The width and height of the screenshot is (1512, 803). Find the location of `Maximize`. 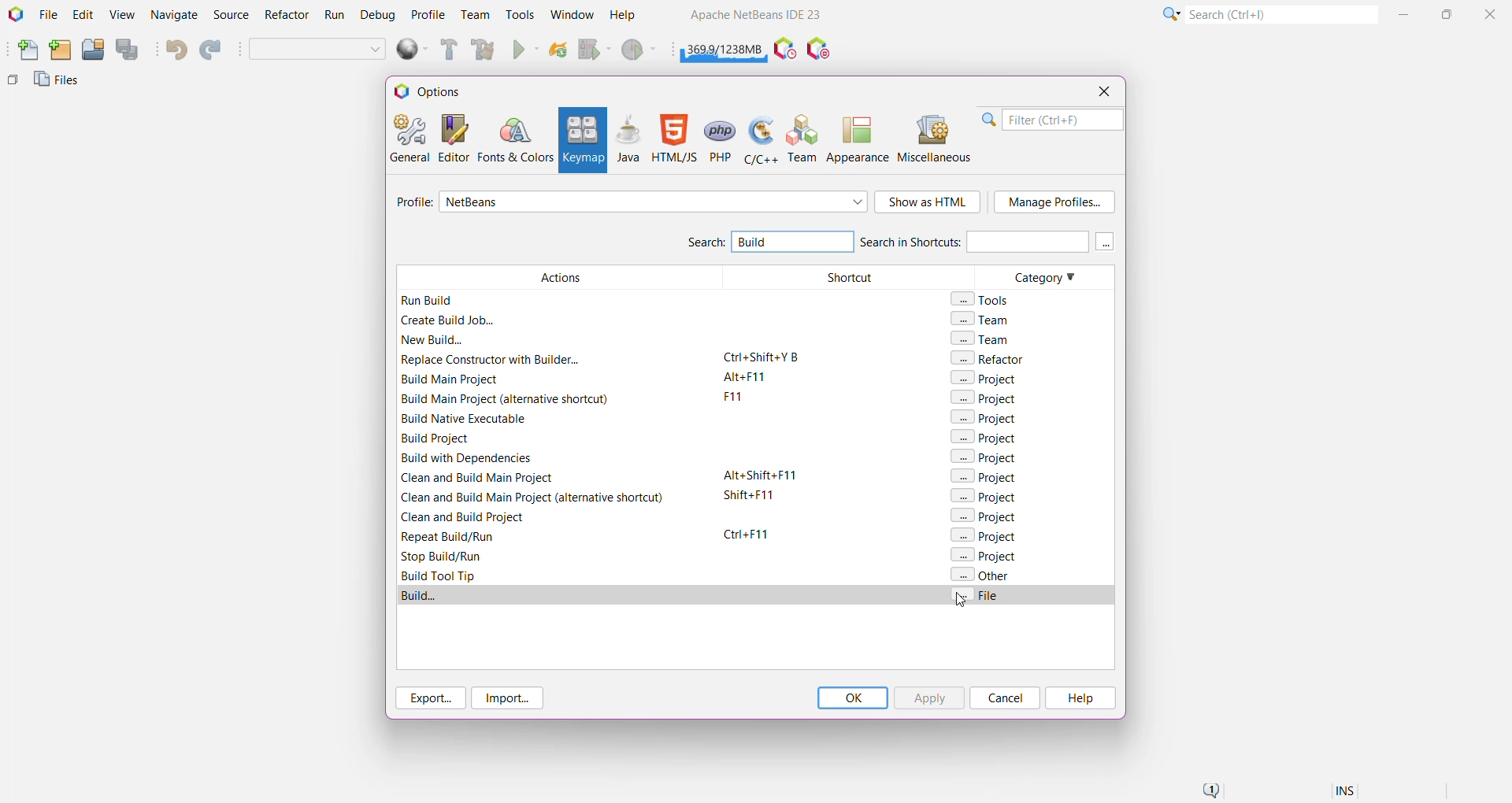

Maximize is located at coordinates (1449, 13).